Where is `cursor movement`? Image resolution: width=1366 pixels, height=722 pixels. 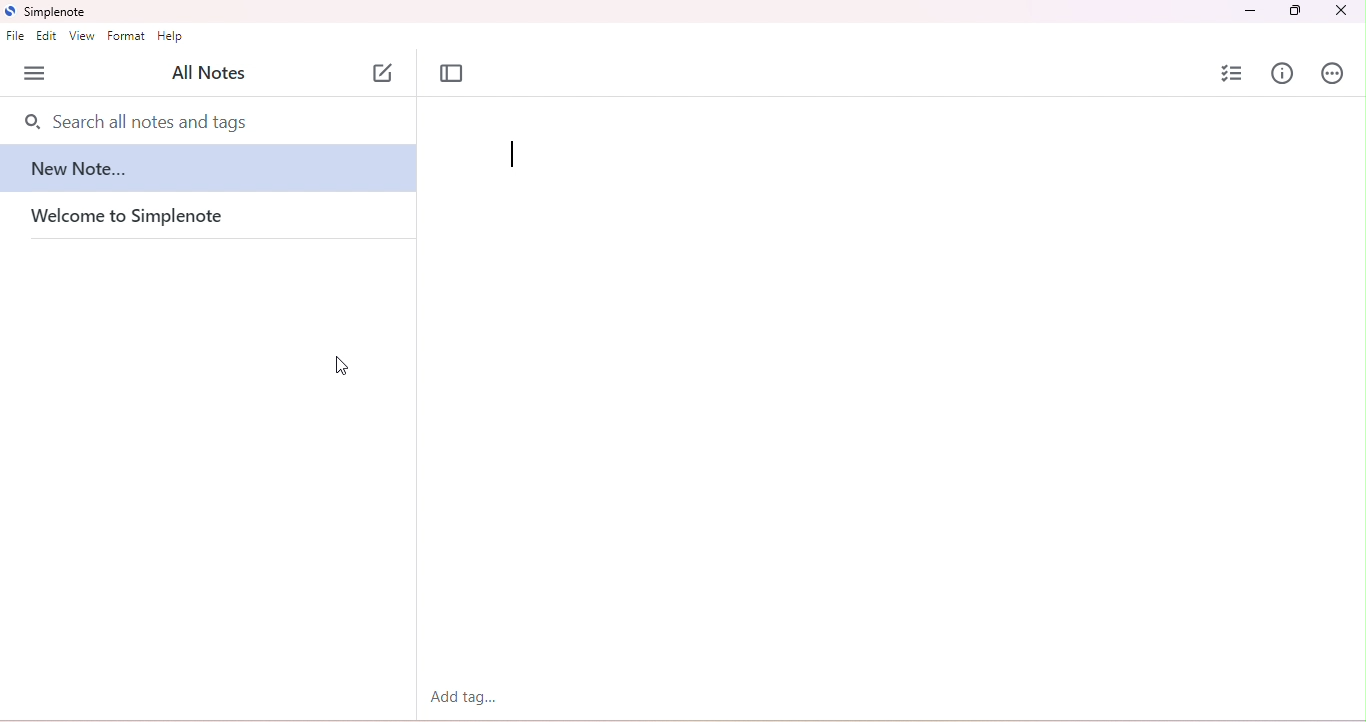 cursor movement is located at coordinates (341, 365).